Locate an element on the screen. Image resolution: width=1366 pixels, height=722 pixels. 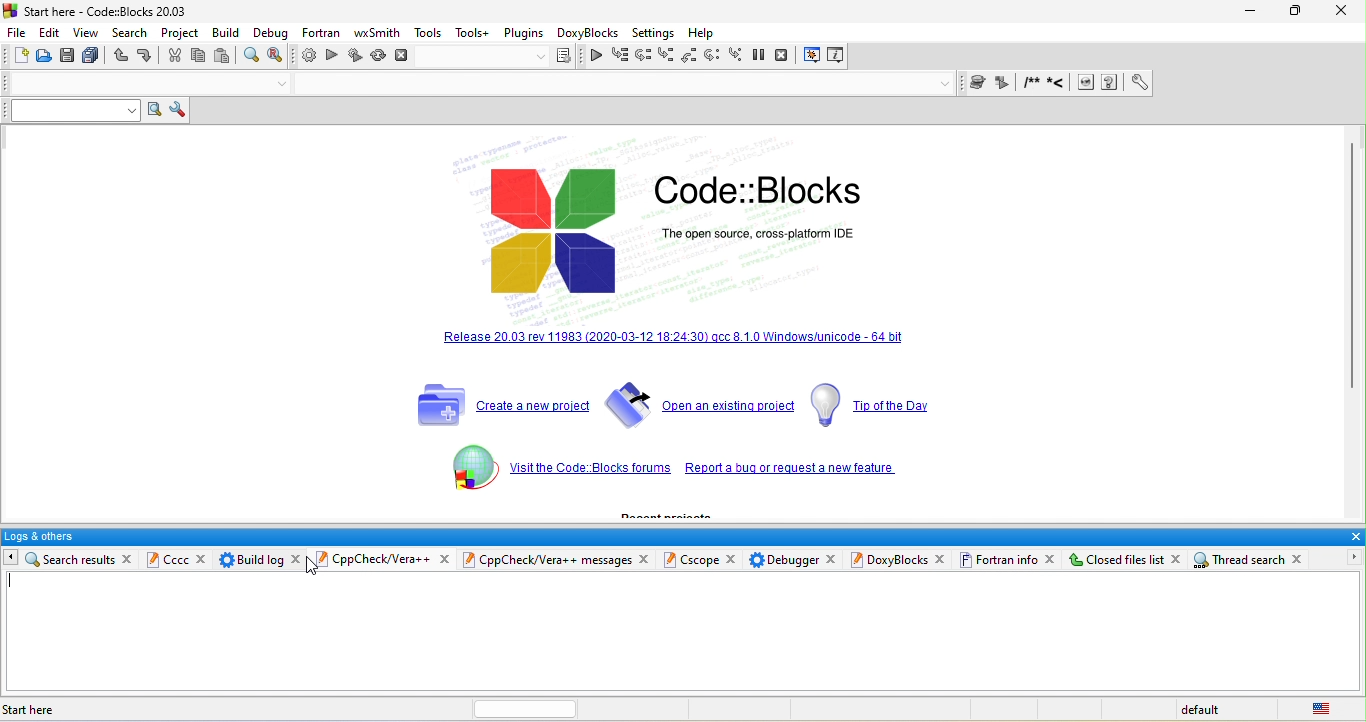
horizontal scroll bar is located at coordinates (514, 708).